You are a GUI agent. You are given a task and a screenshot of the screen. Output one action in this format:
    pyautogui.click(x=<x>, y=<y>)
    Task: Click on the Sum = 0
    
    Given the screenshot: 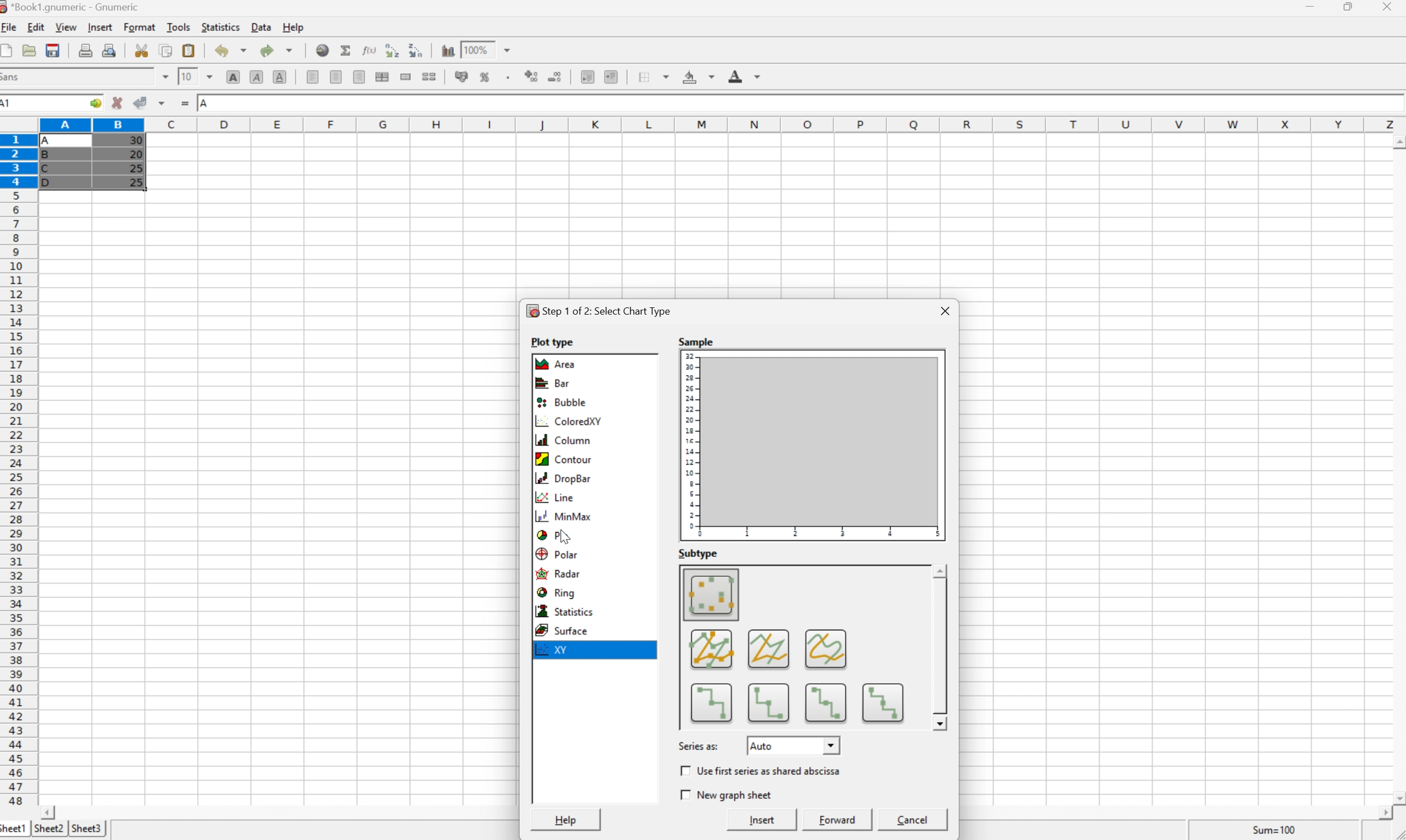 What is the action you would take?
    pyautogui.click(x=1272, y=830)
    